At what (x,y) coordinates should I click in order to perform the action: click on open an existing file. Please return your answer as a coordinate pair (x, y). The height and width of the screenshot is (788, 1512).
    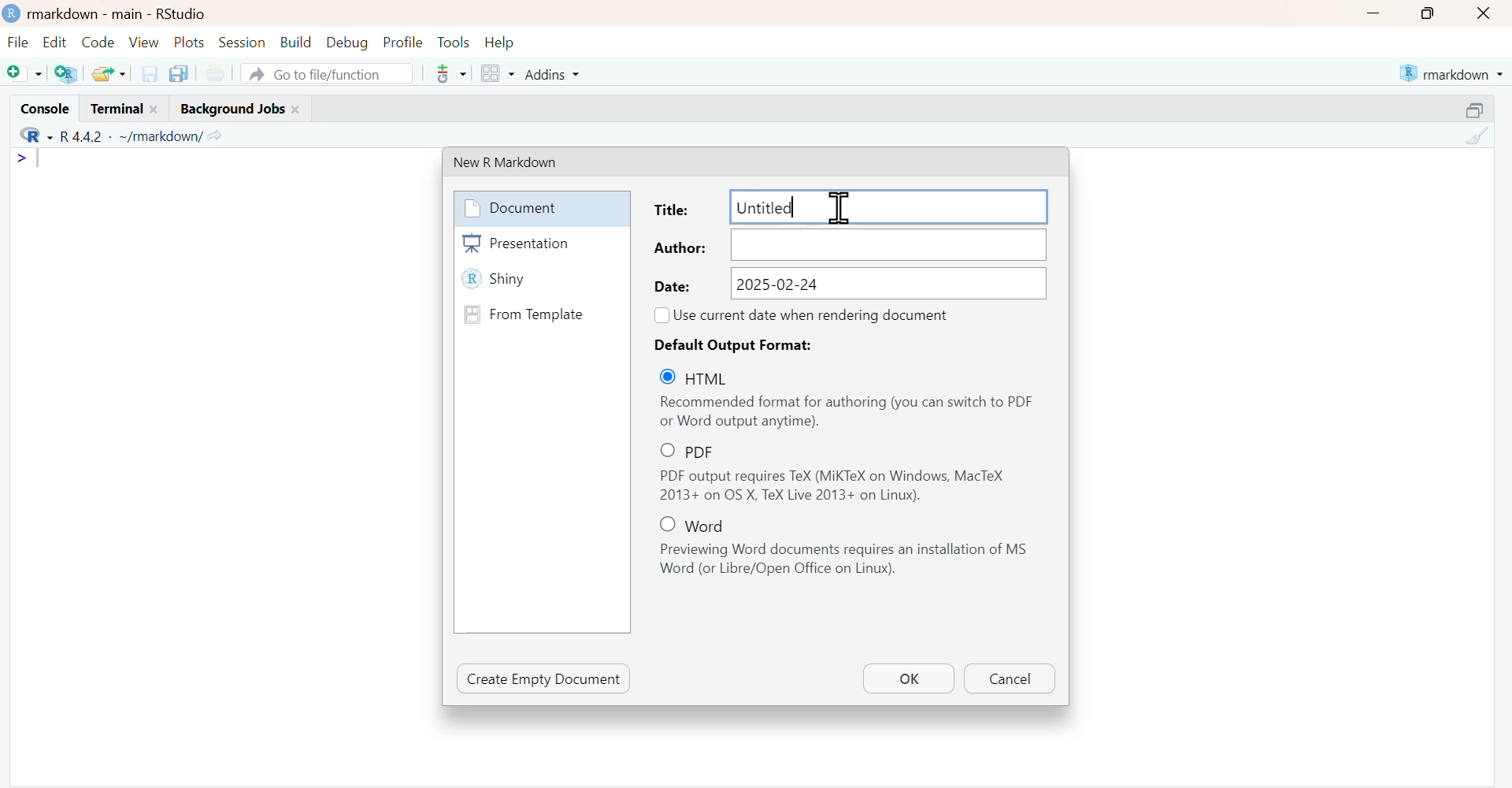
    Looking at the image, I should click on (108, 72).